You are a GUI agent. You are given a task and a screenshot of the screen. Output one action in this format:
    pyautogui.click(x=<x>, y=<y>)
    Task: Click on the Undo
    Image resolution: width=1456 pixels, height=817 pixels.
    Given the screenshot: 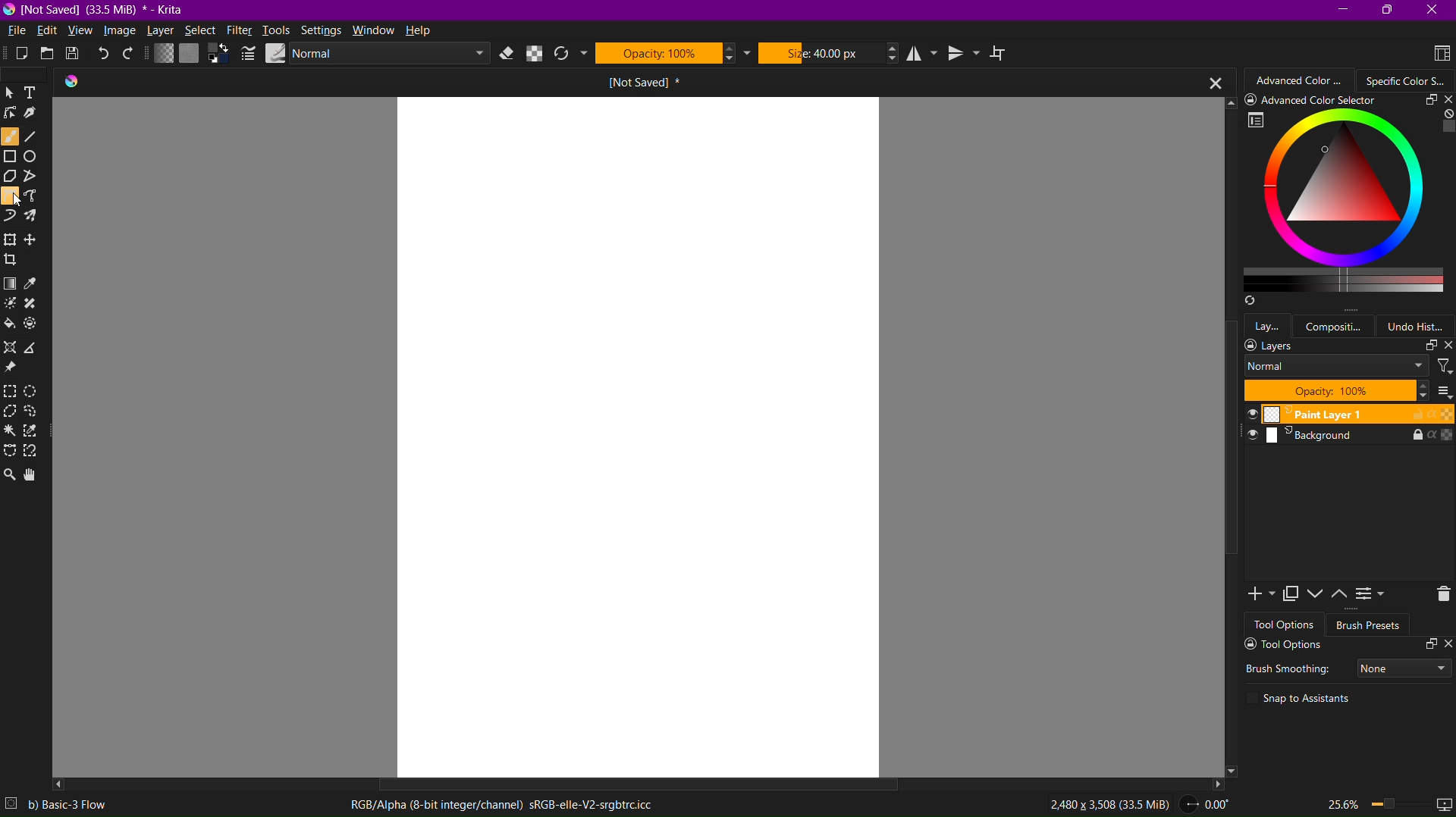 What is the action you would take?
    pyautogui.click(x=105, y=55)
    